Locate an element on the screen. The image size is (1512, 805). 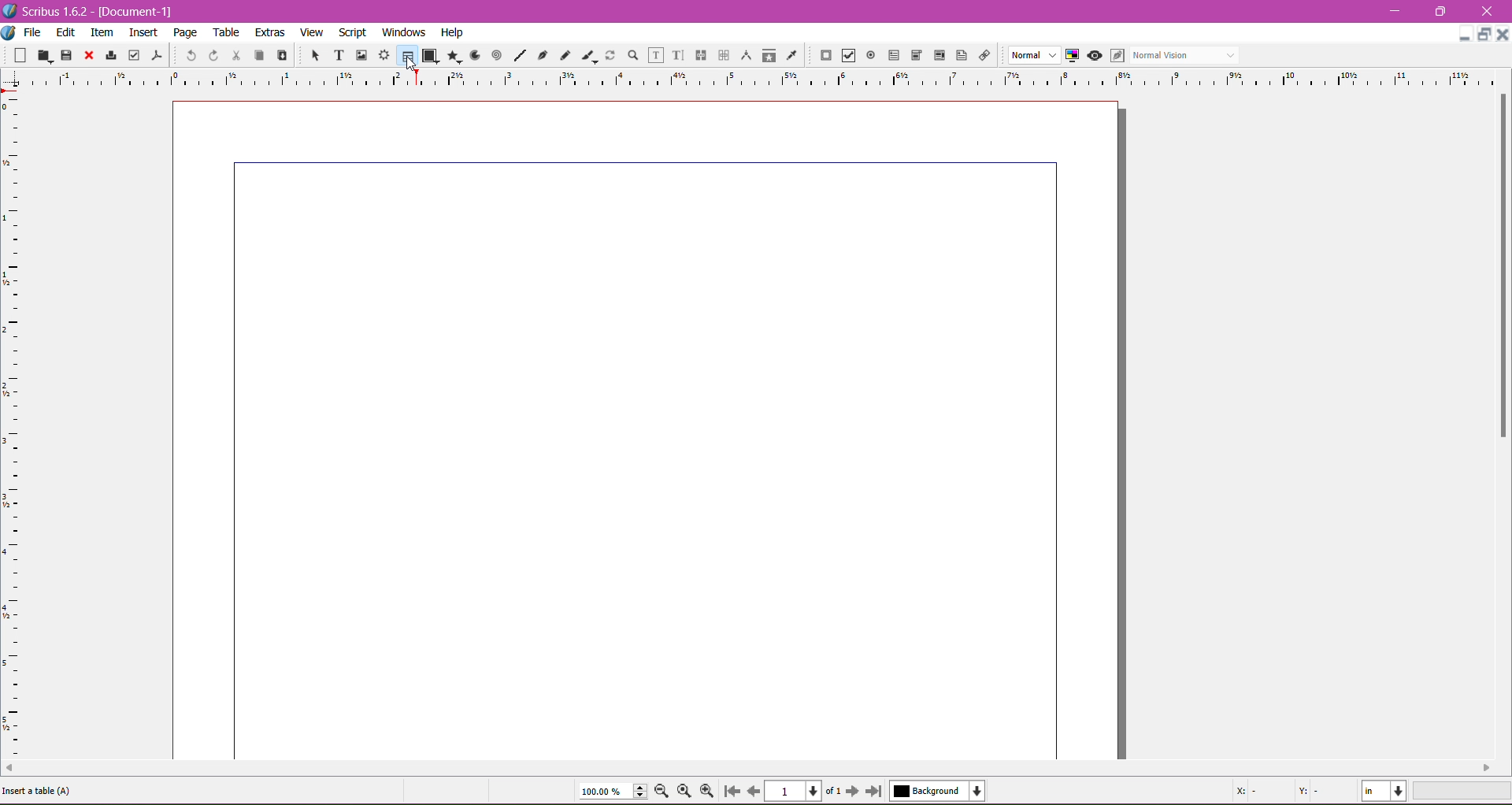
Item is located at coordinates (102, 32).